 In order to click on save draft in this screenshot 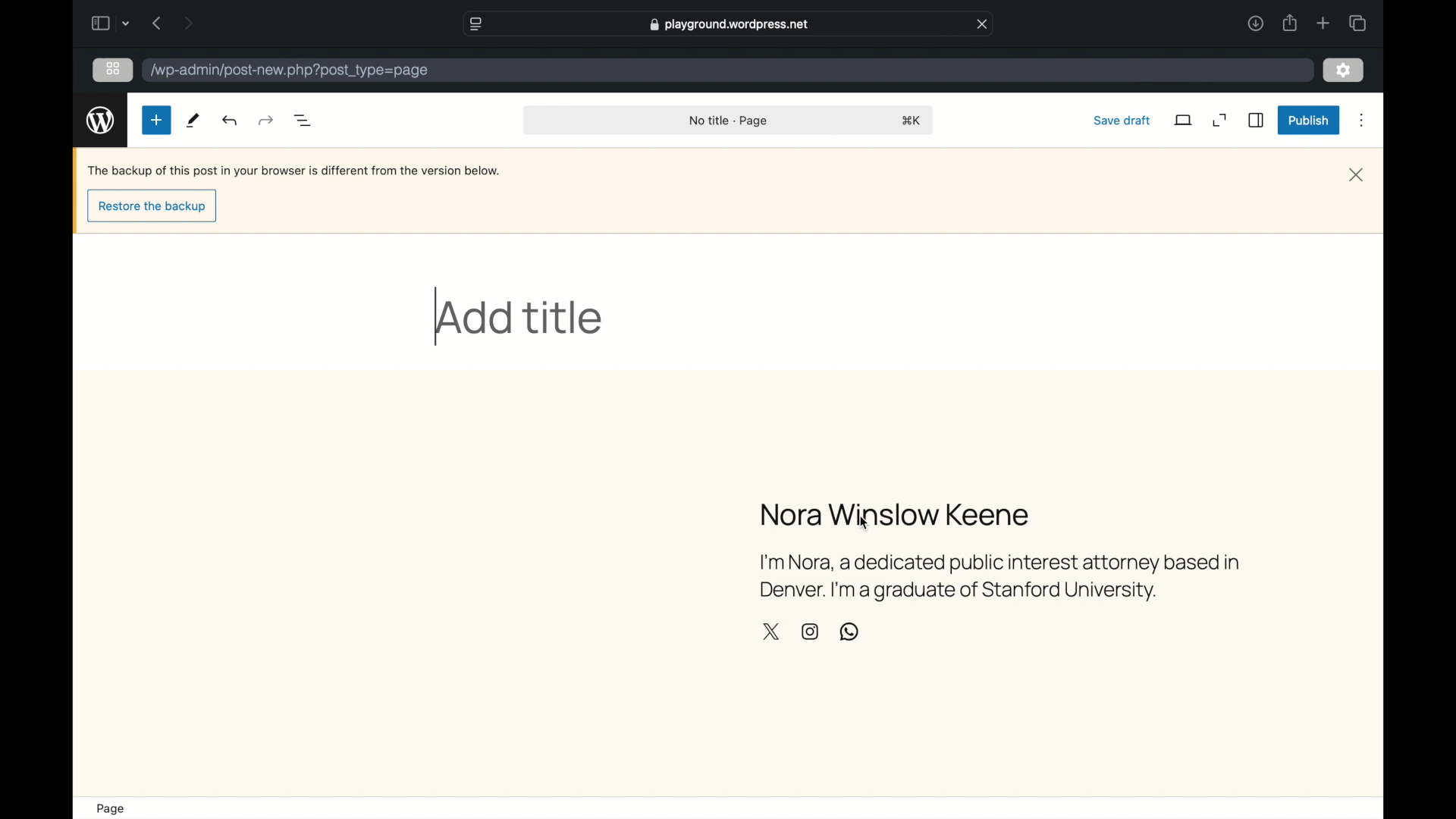, I will do `click(1122, 120)`.